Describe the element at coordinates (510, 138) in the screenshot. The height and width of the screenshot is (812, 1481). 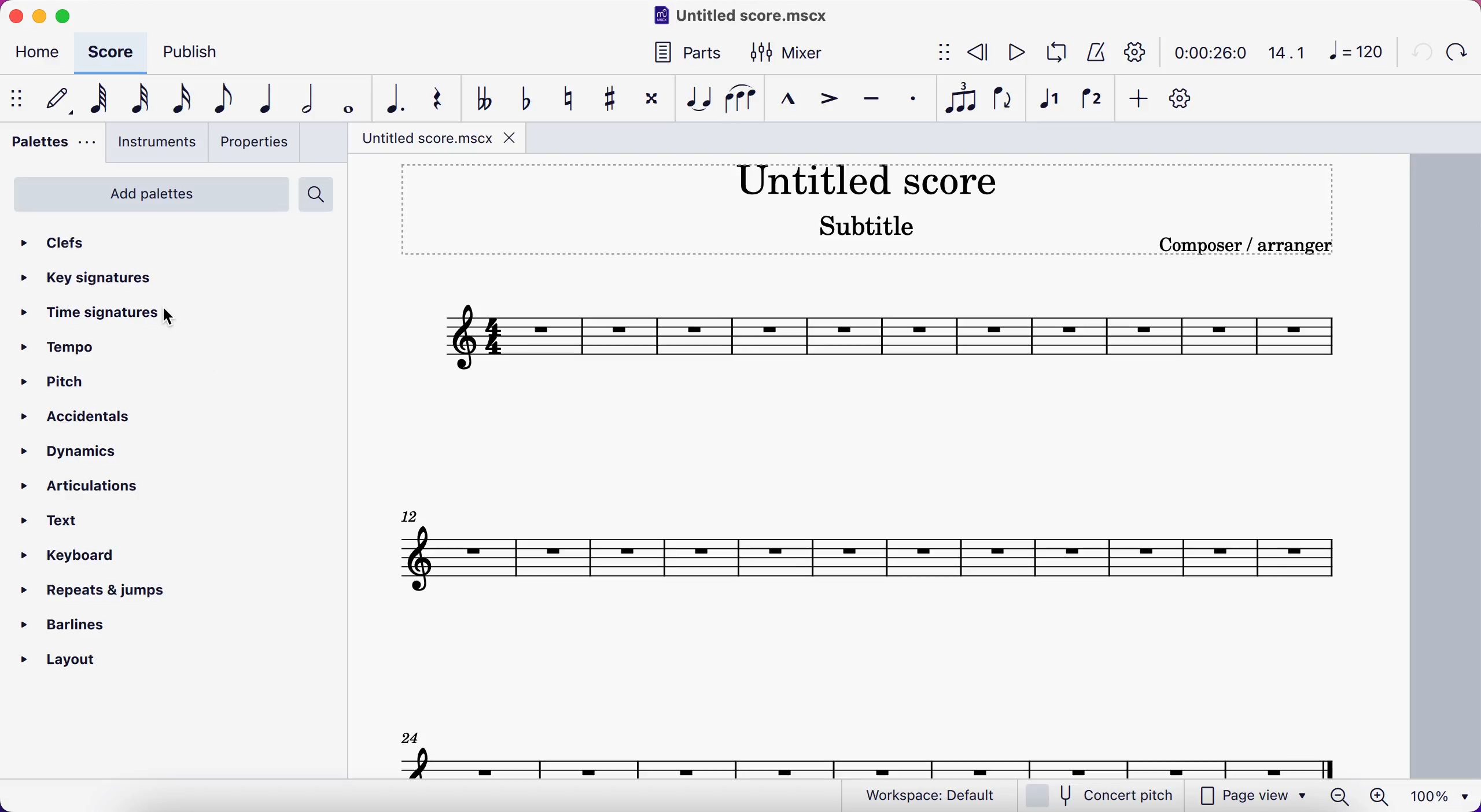
I see `close tab` at that location.